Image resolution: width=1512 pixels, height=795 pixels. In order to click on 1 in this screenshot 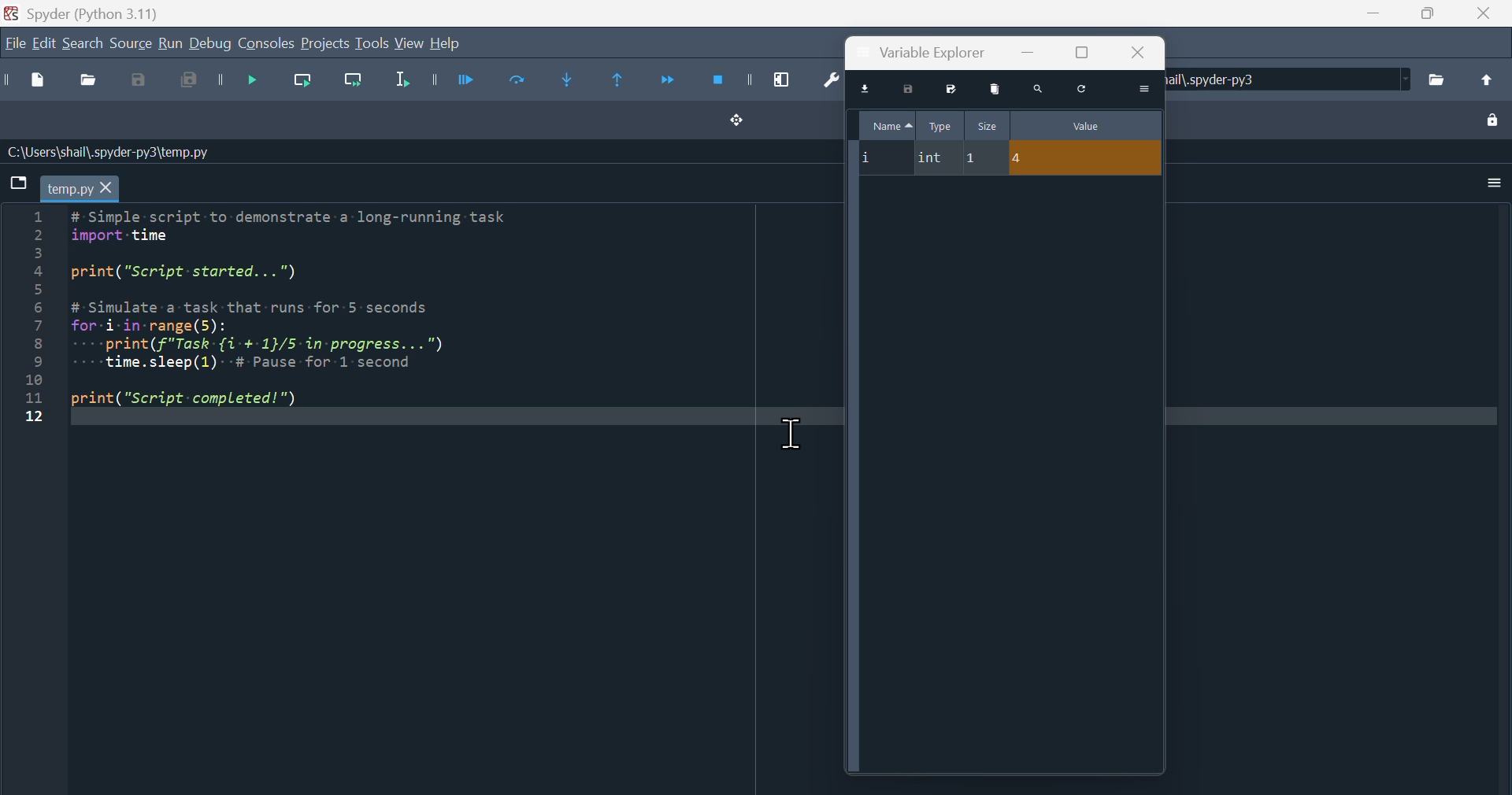, I will do `click(984, 157)`.